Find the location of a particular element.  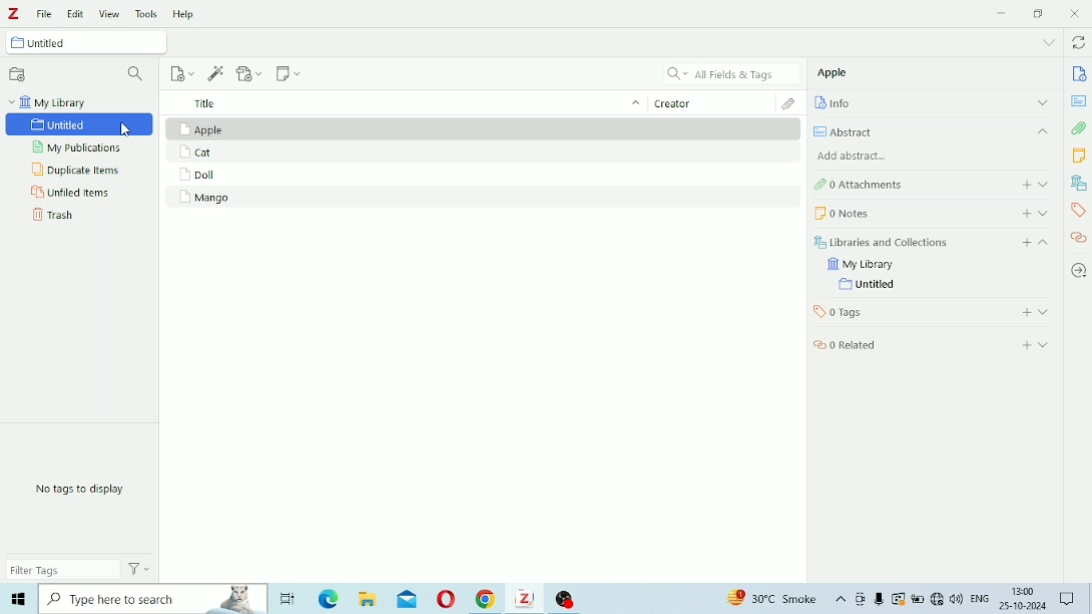

Actions is located at coordinates (142, 569).